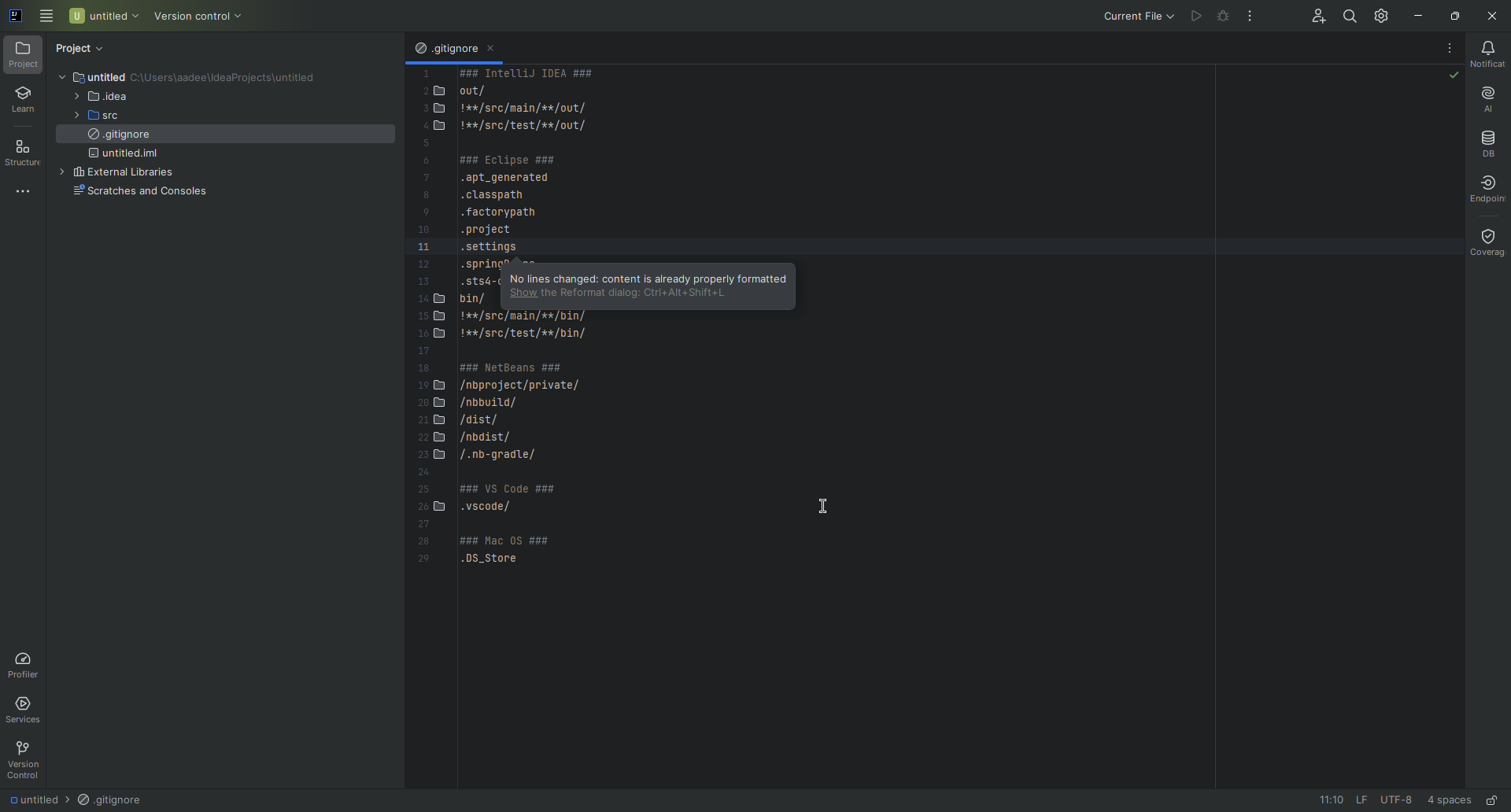 The height and width of the screenshot is (812, 1511). I want to click on Notifications, so click(1491, 55).